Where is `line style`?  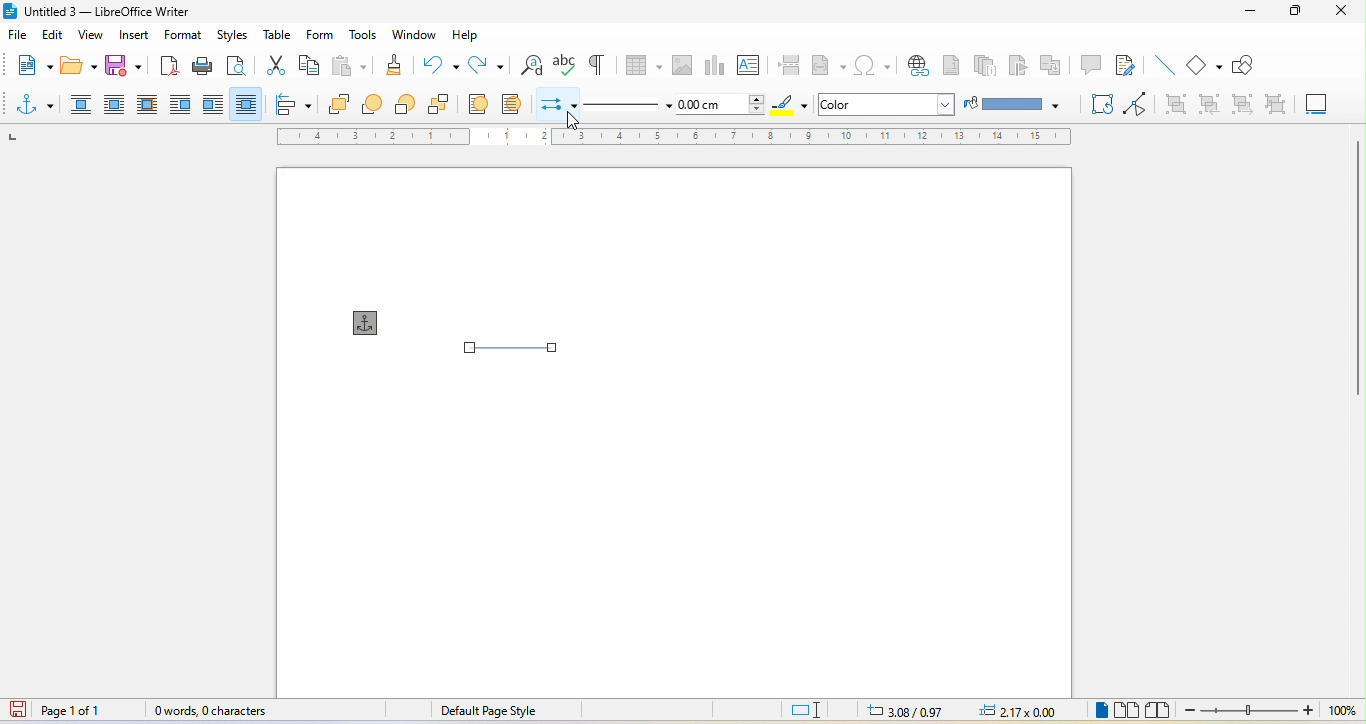 line style is located at coordinates (627, 103).